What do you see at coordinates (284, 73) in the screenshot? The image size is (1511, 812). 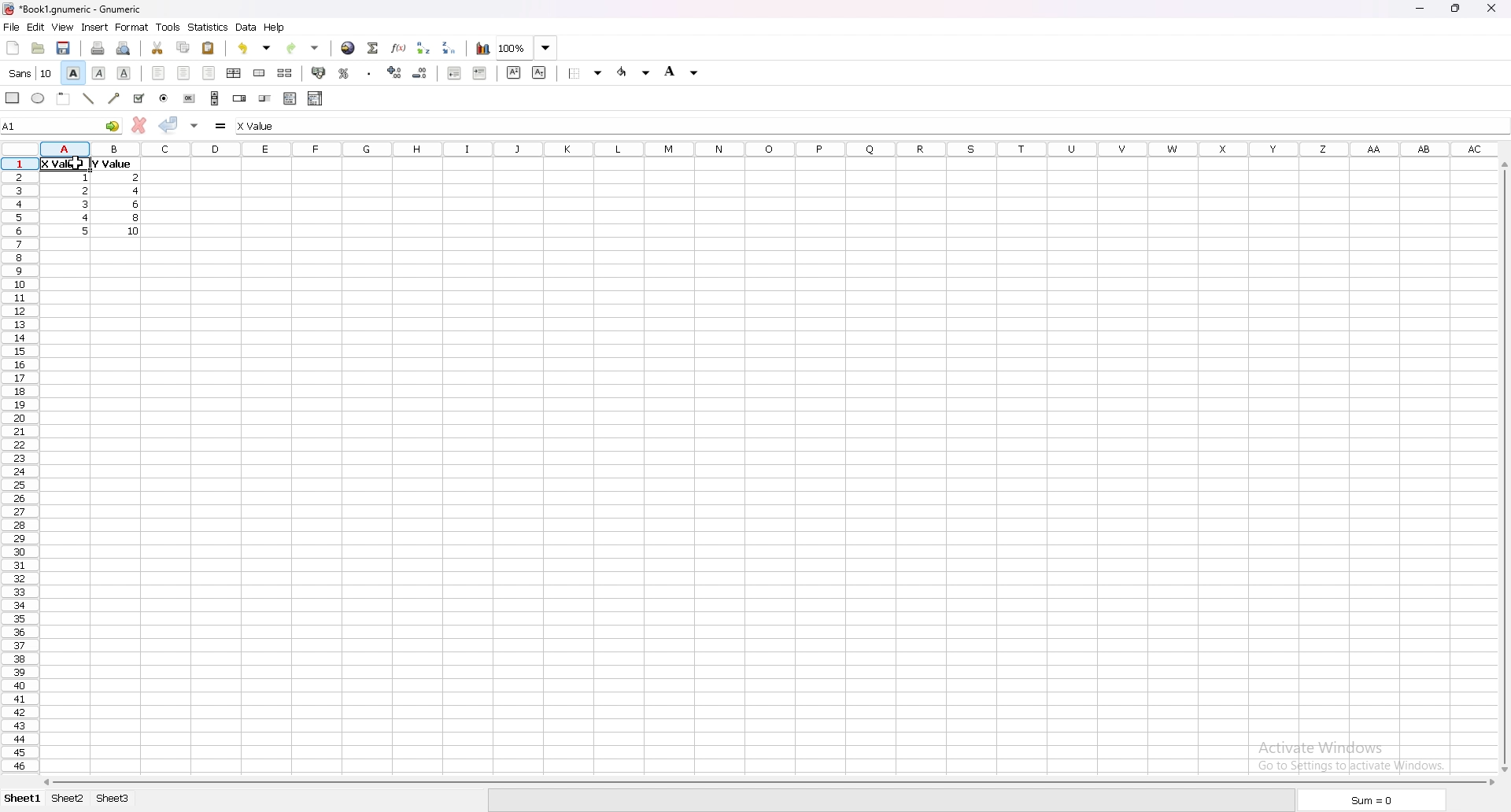 I see `split merged cells` at bounding box center [284, 73].